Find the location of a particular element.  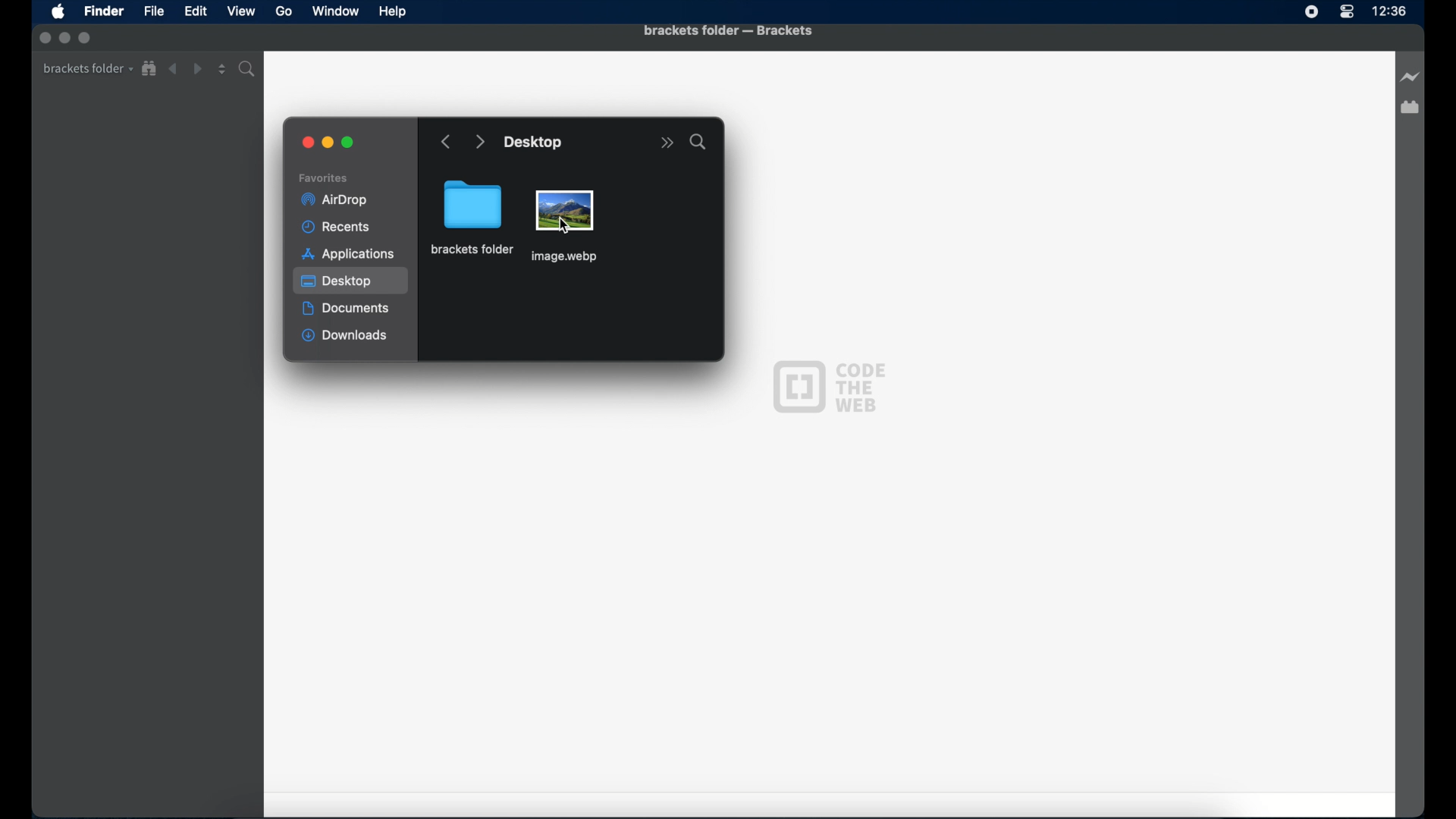

documents is located at coordinates (347, 309).